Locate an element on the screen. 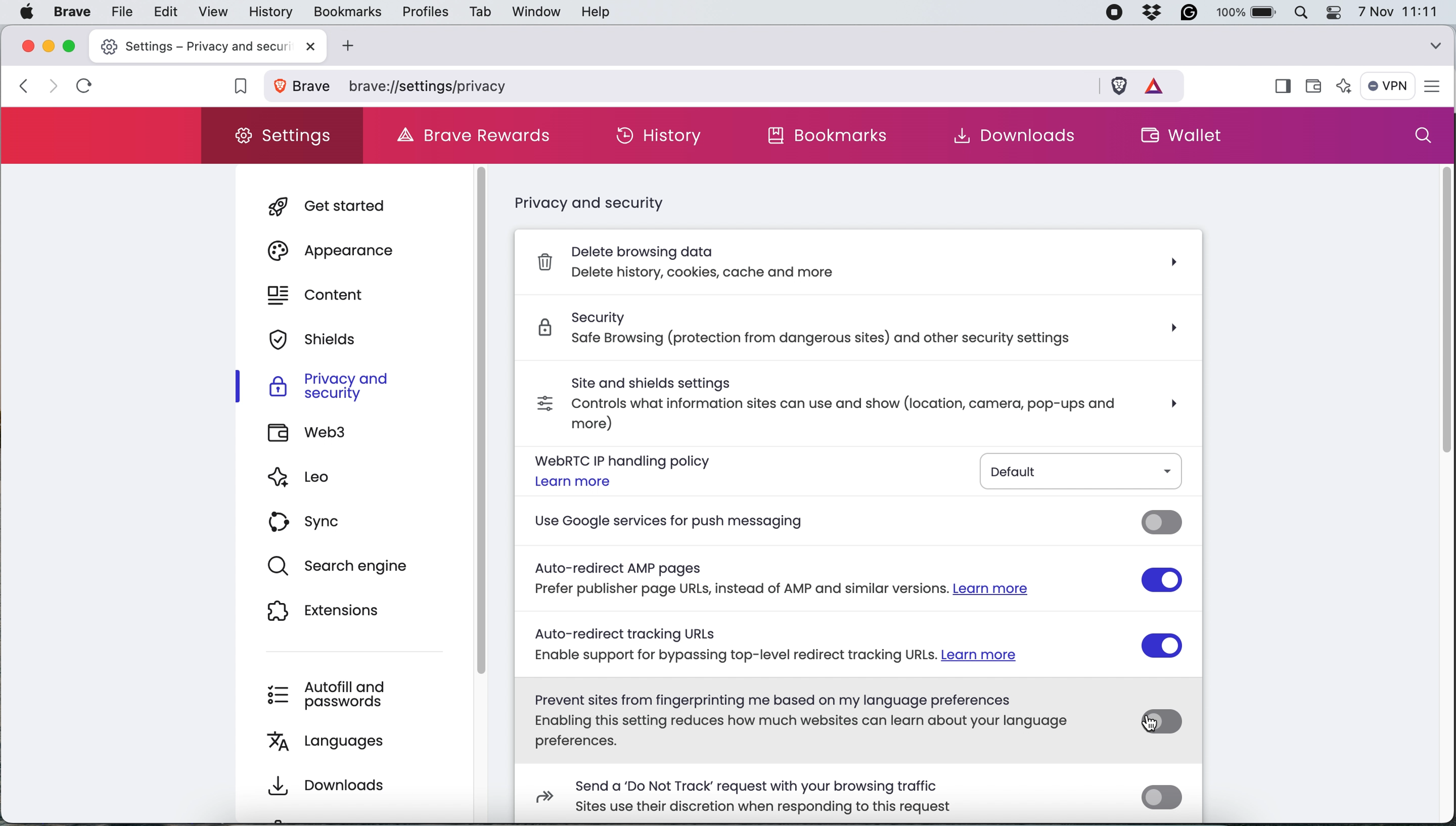 The width and height of the screenshot is (1456, 826). leo is located at coordinates (318, 481).